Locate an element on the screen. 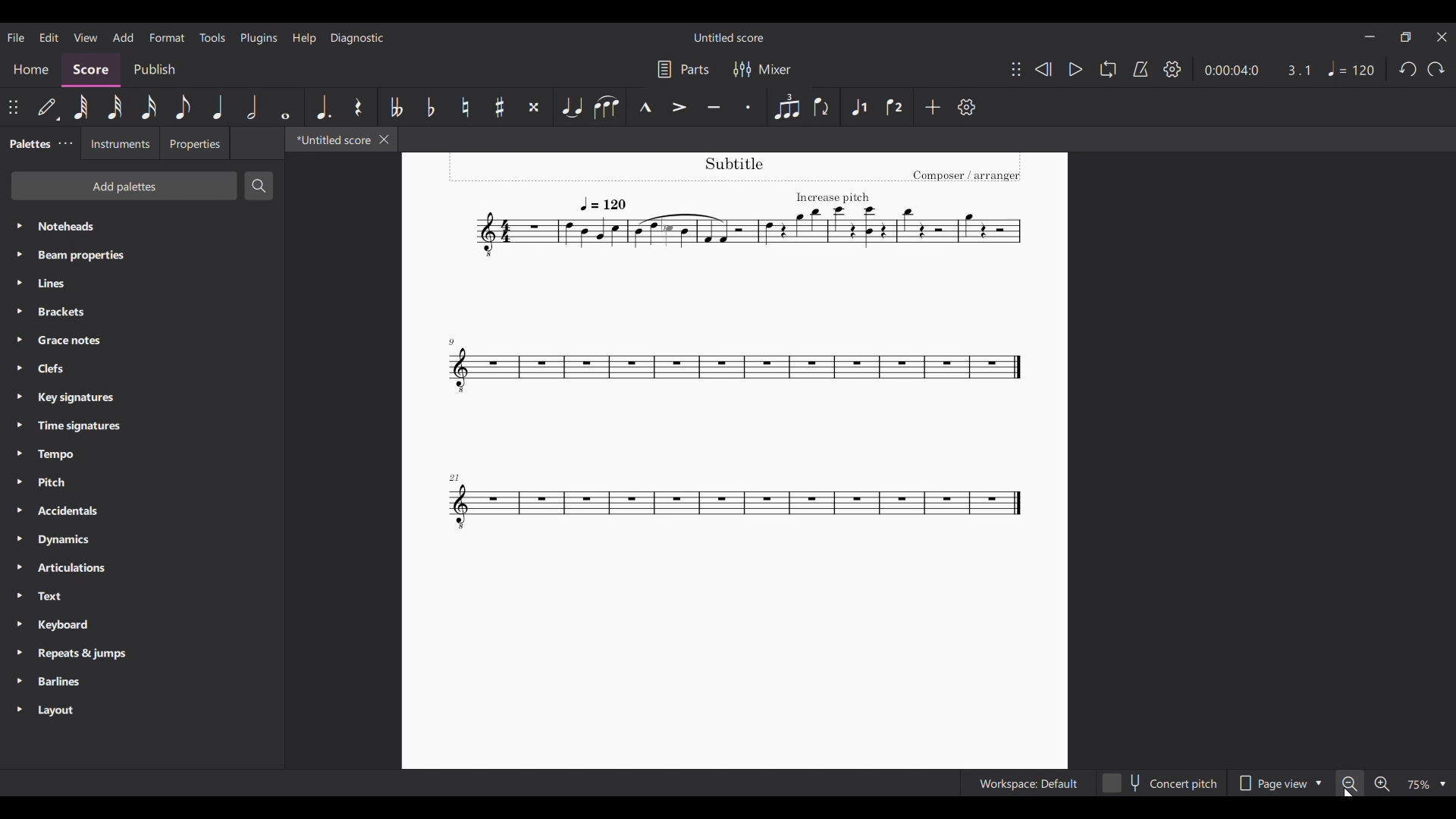 Image resolution: width=1456 pixels, height=819 pixels. View menu is located at coordinates (85, 37).